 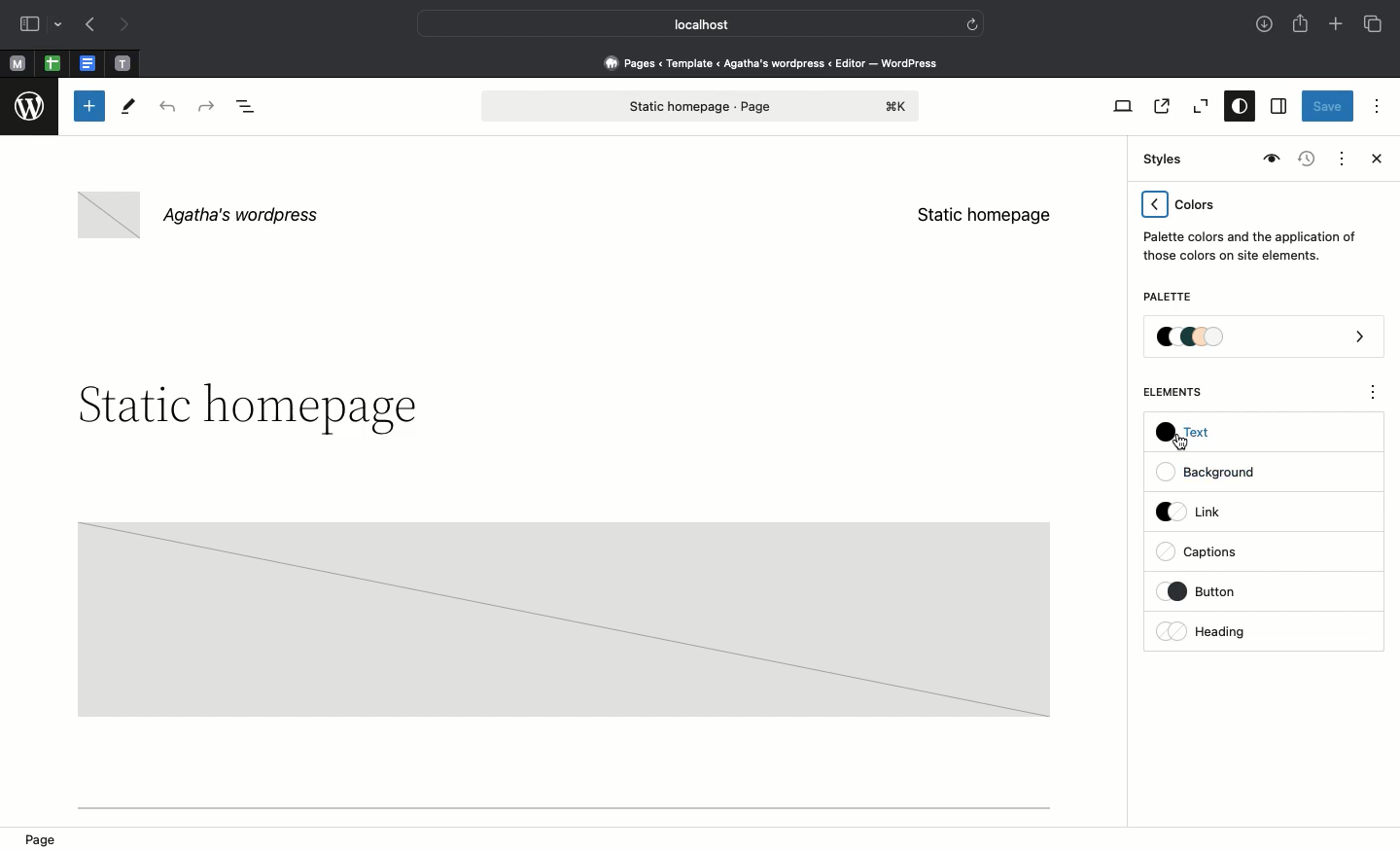 I want to click on Colors, so click(x=1250, y=226).